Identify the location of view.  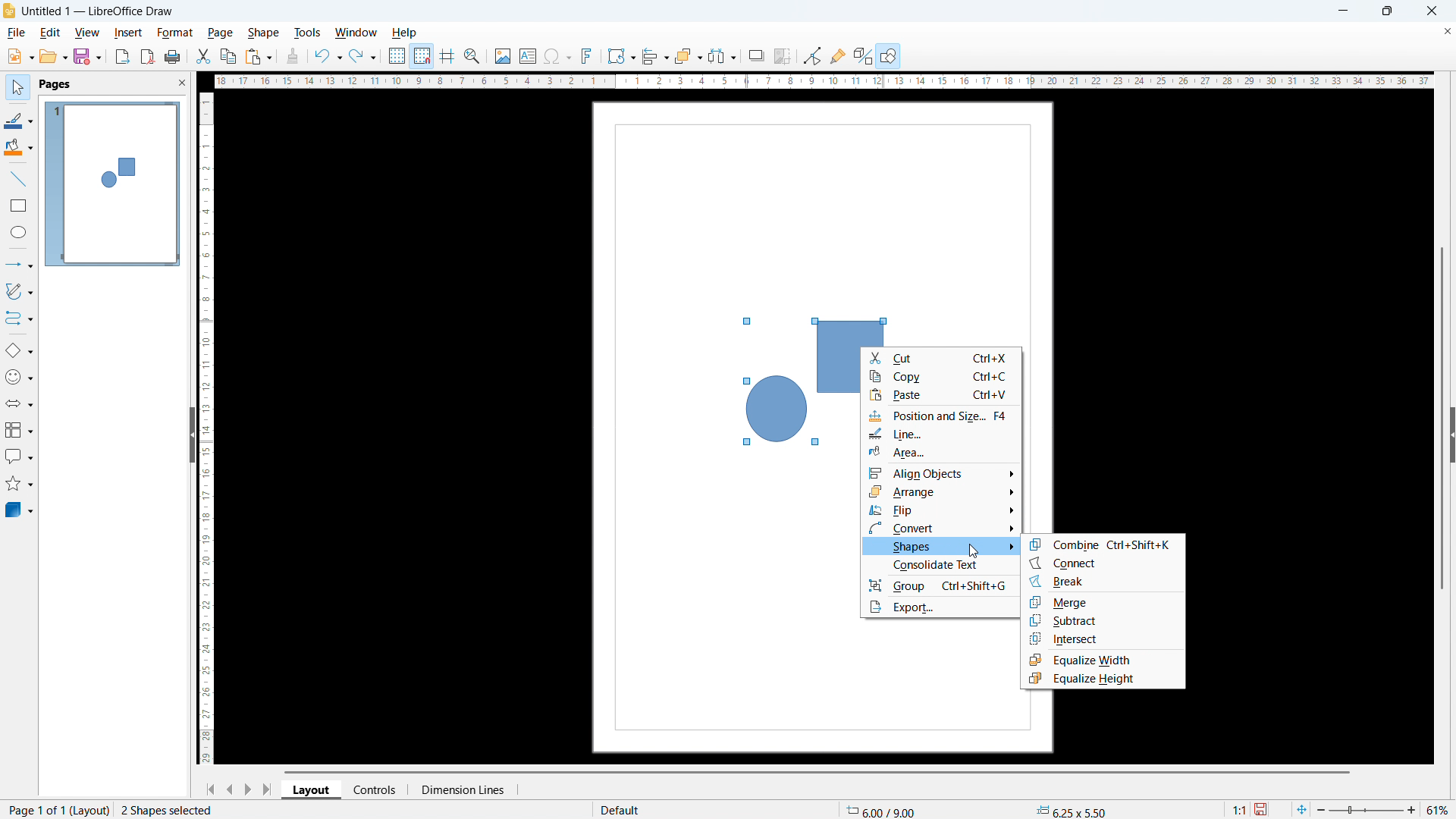
(87, 33).